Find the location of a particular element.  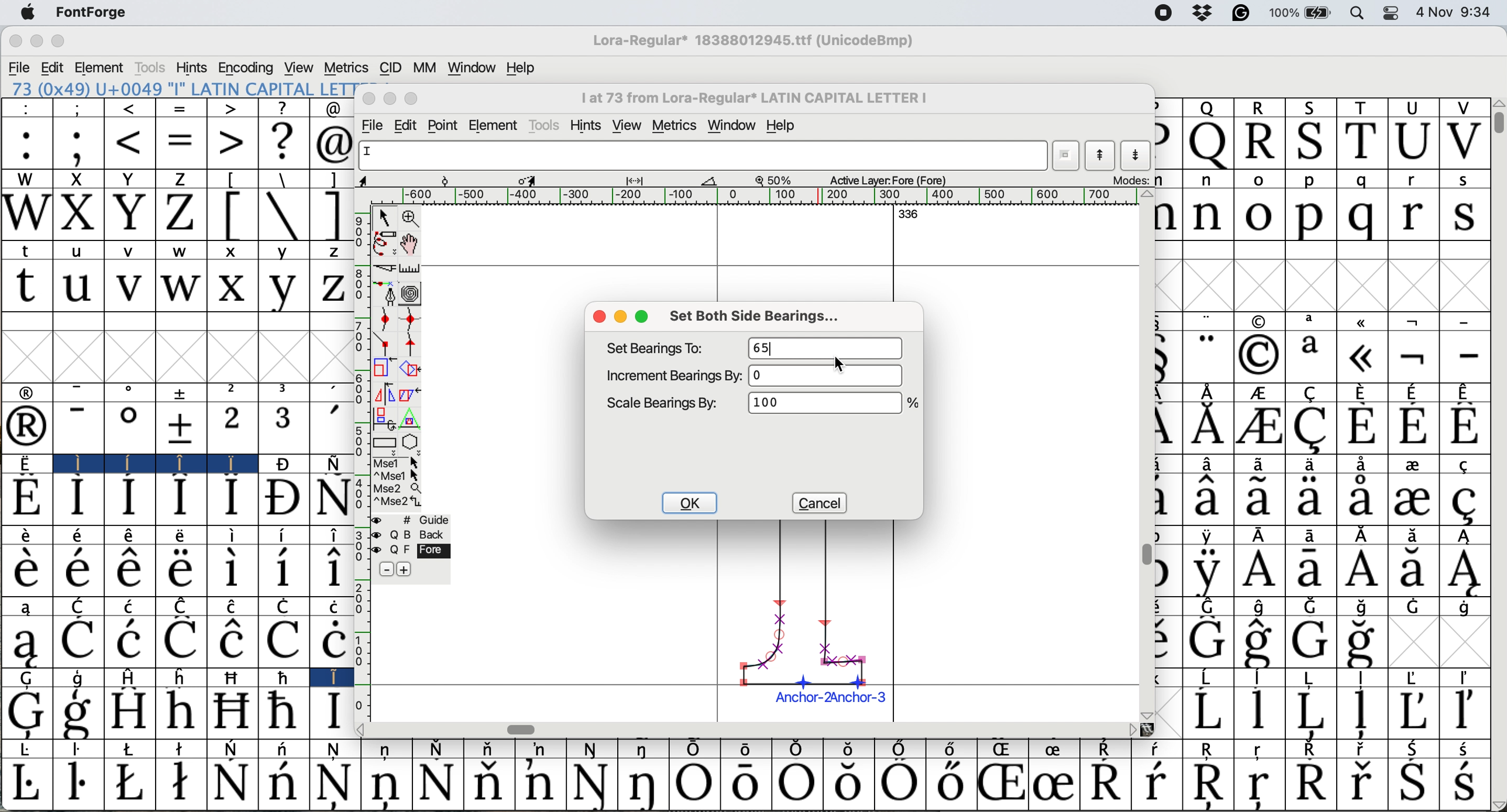

spotlight search is located at coordinates (1357, 15).